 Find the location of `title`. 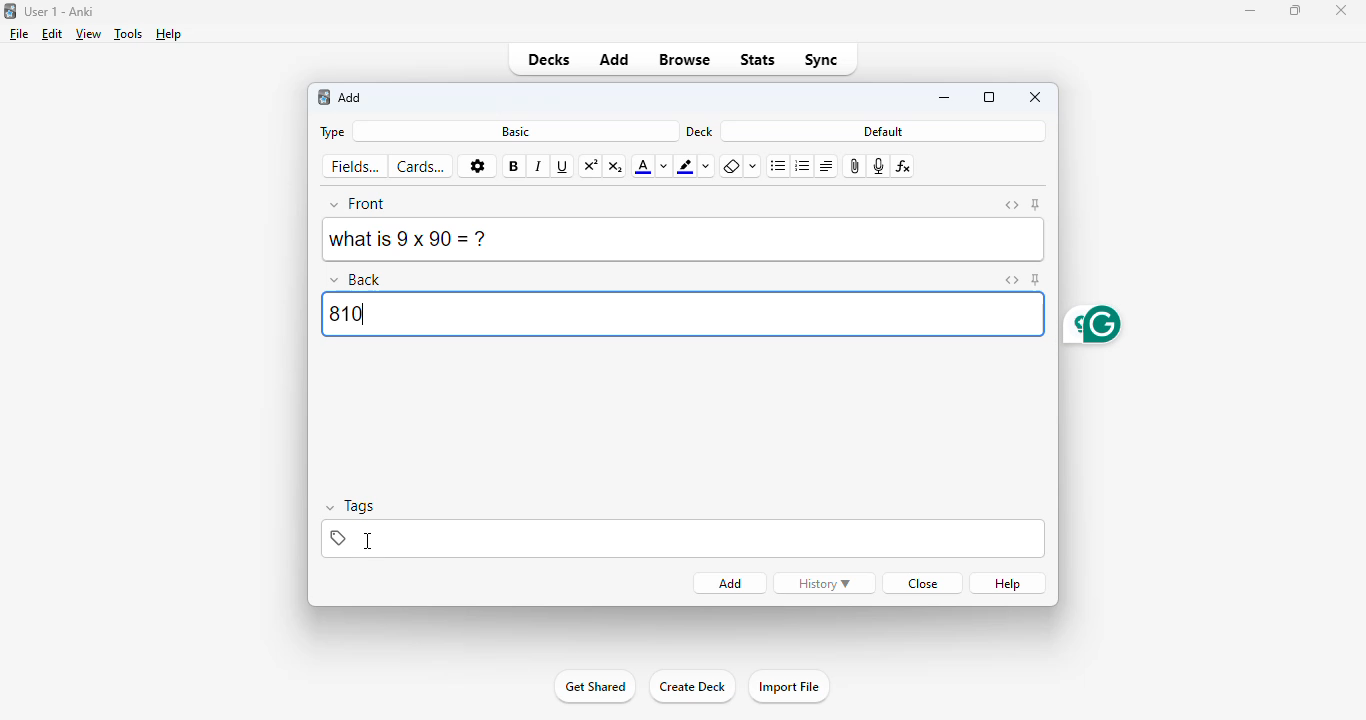

title is located at coordinates (60, 11).